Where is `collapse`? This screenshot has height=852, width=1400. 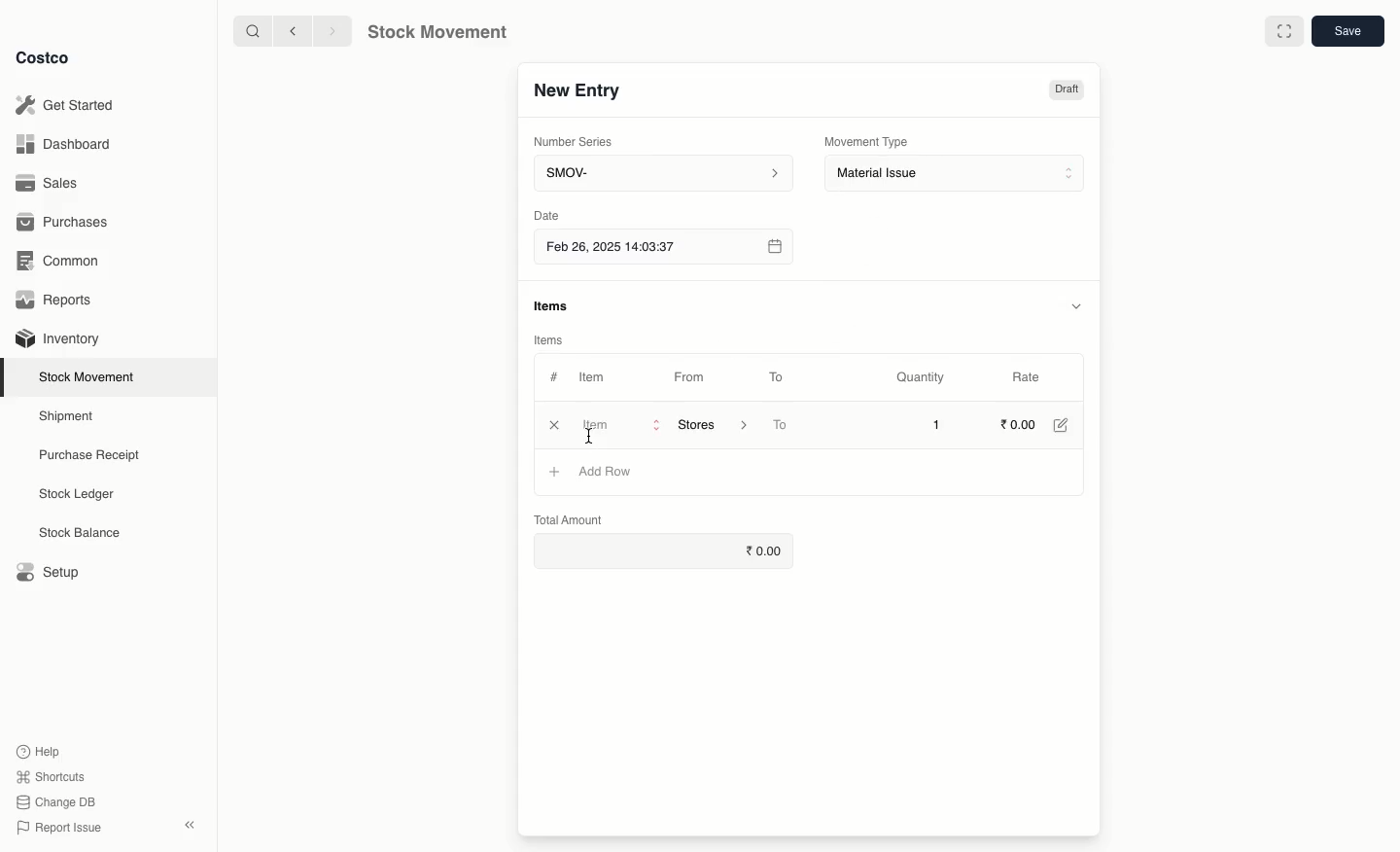 collapse is located at coordinates (189, 824).